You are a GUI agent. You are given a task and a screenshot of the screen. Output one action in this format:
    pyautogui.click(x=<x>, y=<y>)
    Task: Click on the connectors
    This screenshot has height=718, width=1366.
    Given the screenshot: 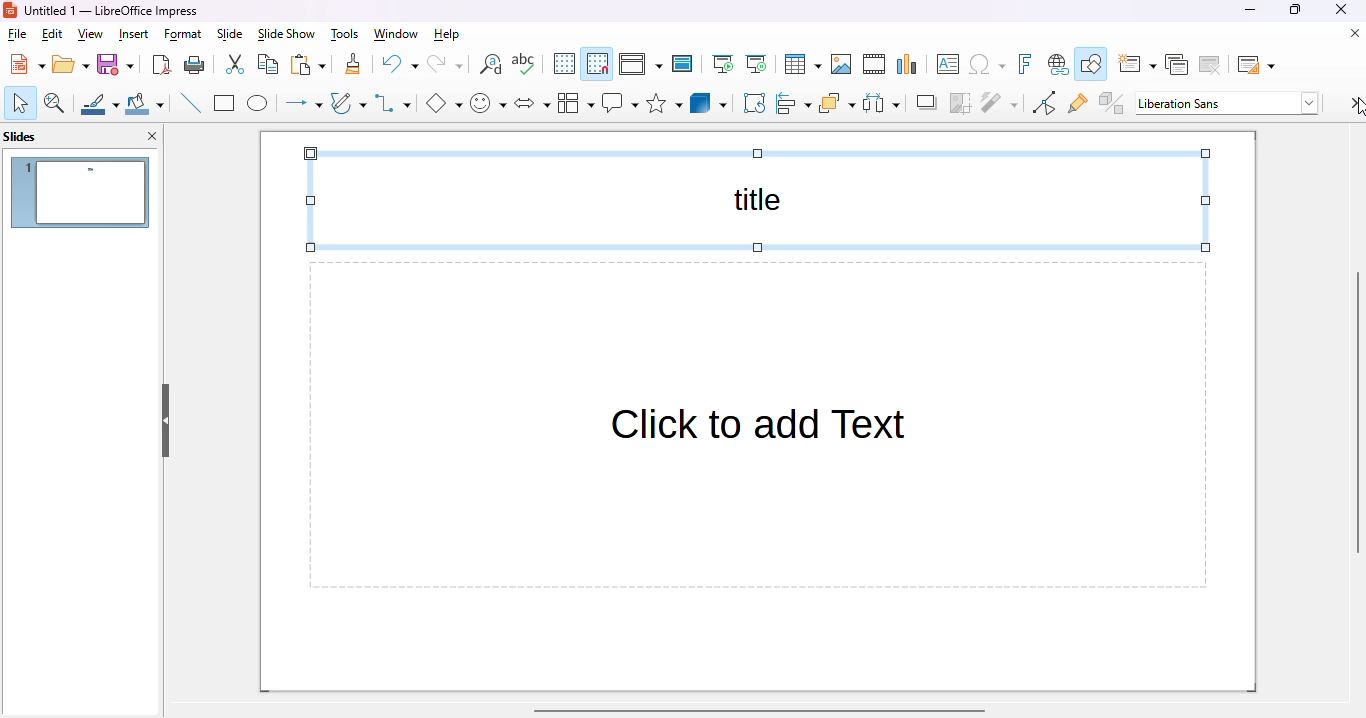 What is the action you would take?
    pyautogui.click(x=393, y=103)
    